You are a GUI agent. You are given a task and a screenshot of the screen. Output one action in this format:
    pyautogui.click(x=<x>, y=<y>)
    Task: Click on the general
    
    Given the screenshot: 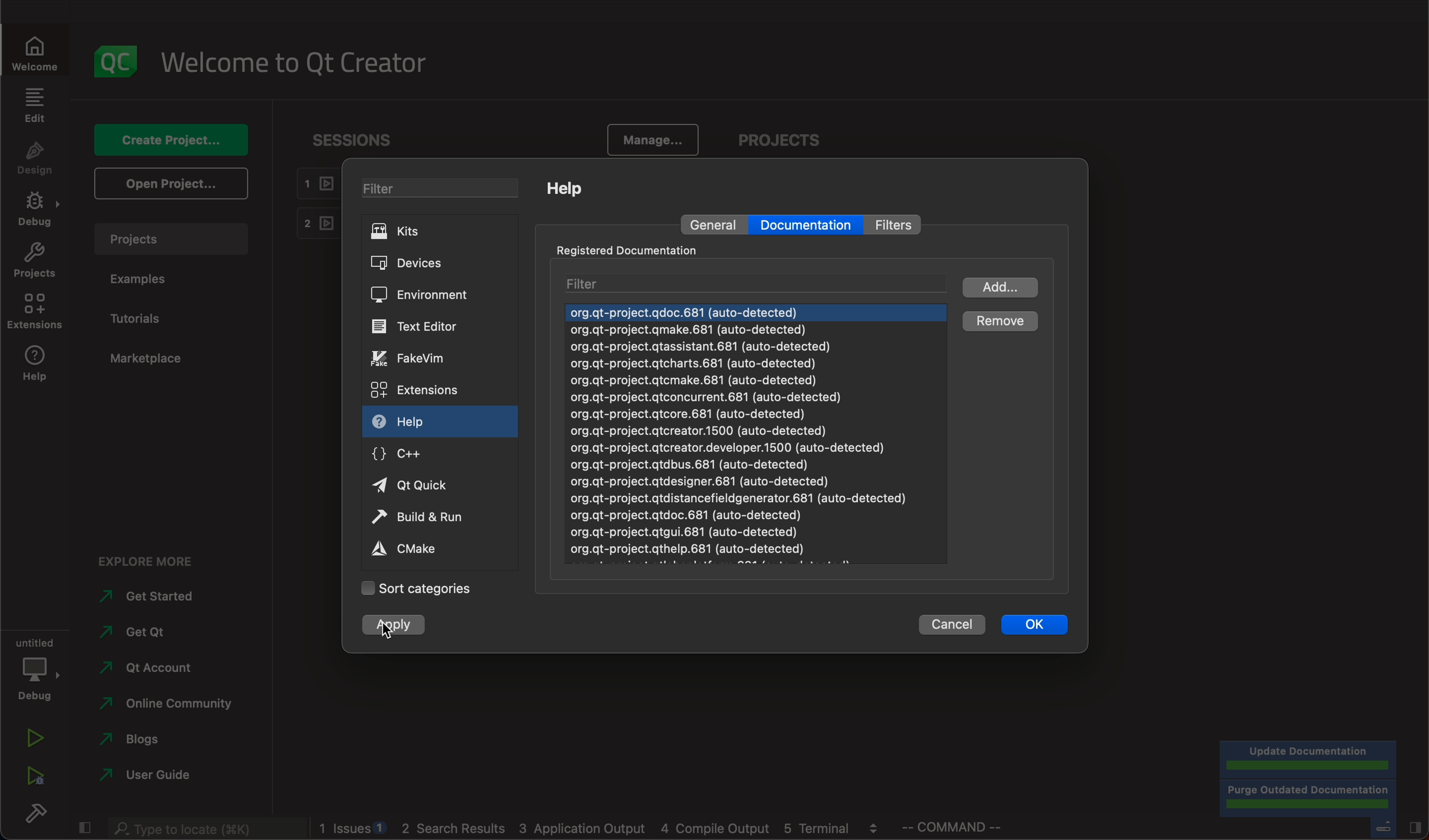 What is the action you would take?
    pyautogui.click(x=711, y=226)
    